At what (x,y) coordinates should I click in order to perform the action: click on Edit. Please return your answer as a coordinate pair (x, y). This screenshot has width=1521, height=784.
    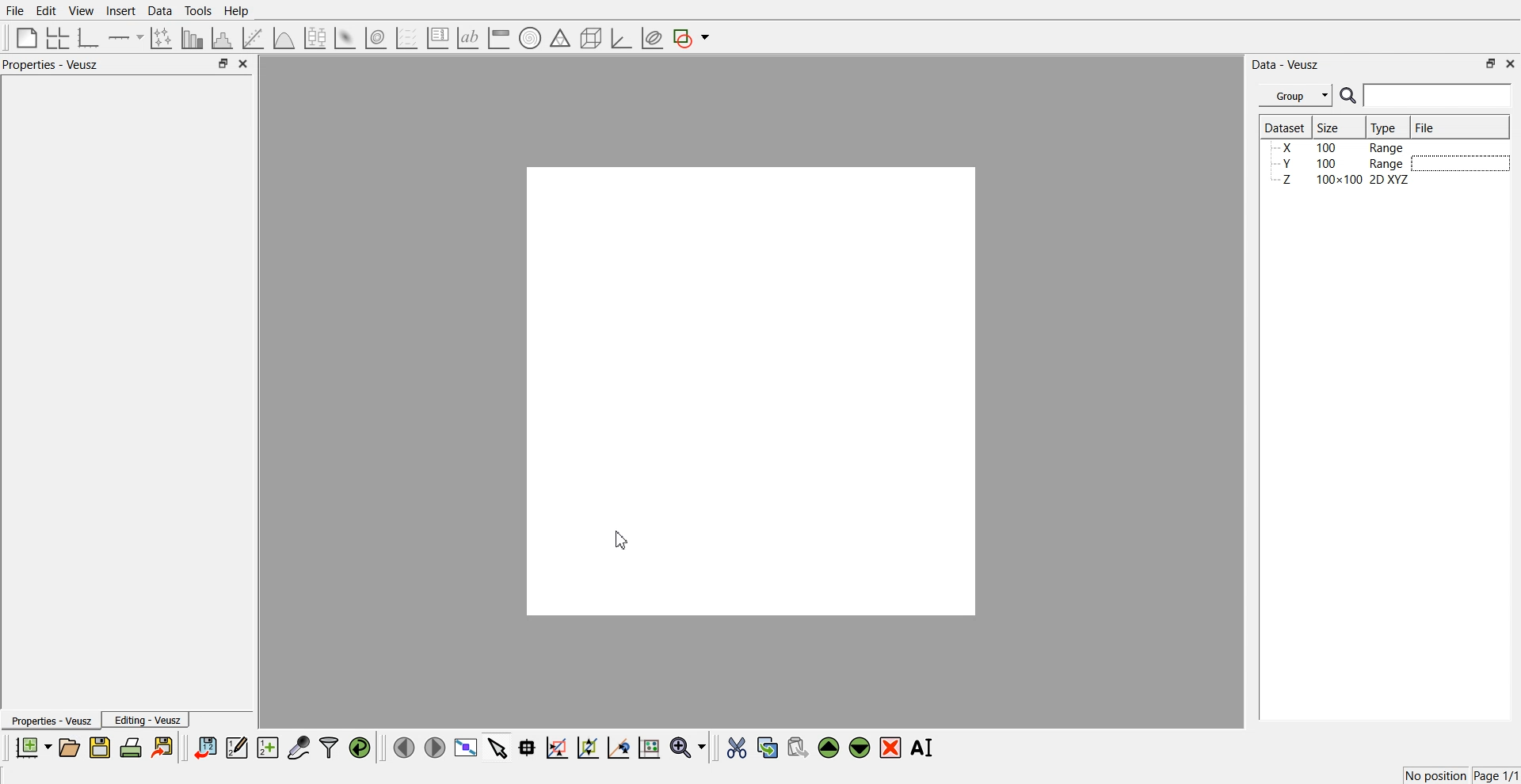
    Looking at the image, I should click on (45, 11).